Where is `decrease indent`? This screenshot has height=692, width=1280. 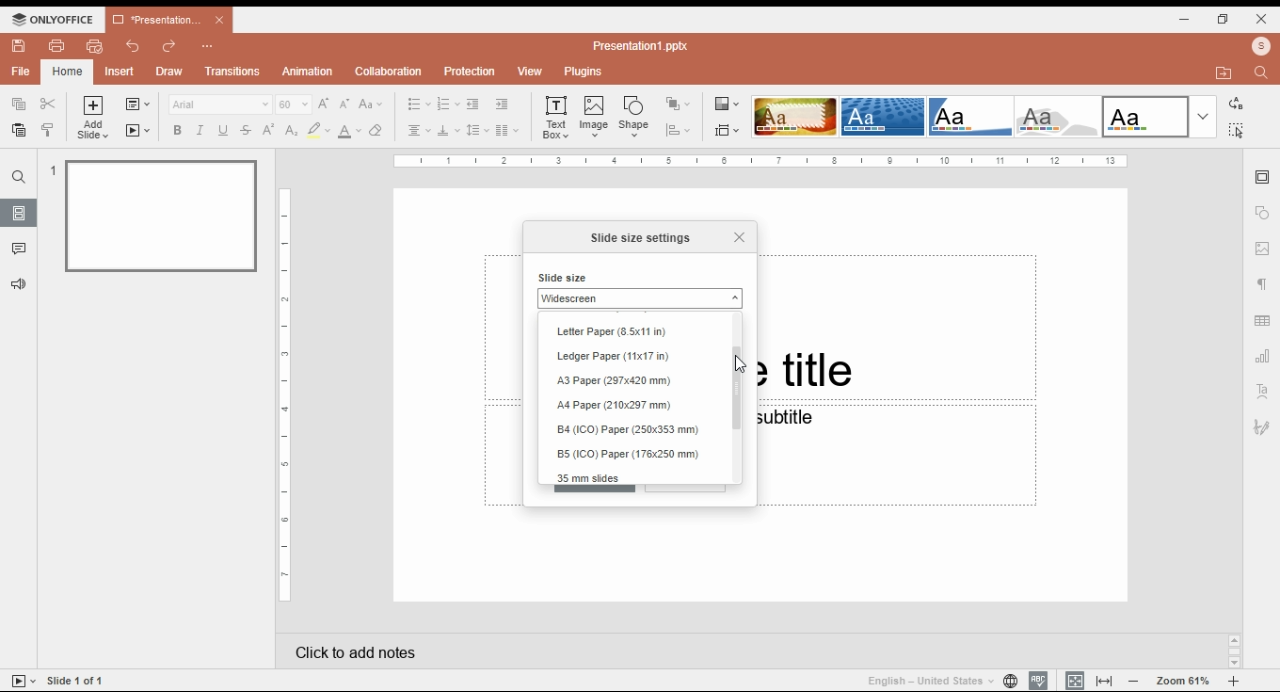 decrease indent is located at coordinates (472, 105).